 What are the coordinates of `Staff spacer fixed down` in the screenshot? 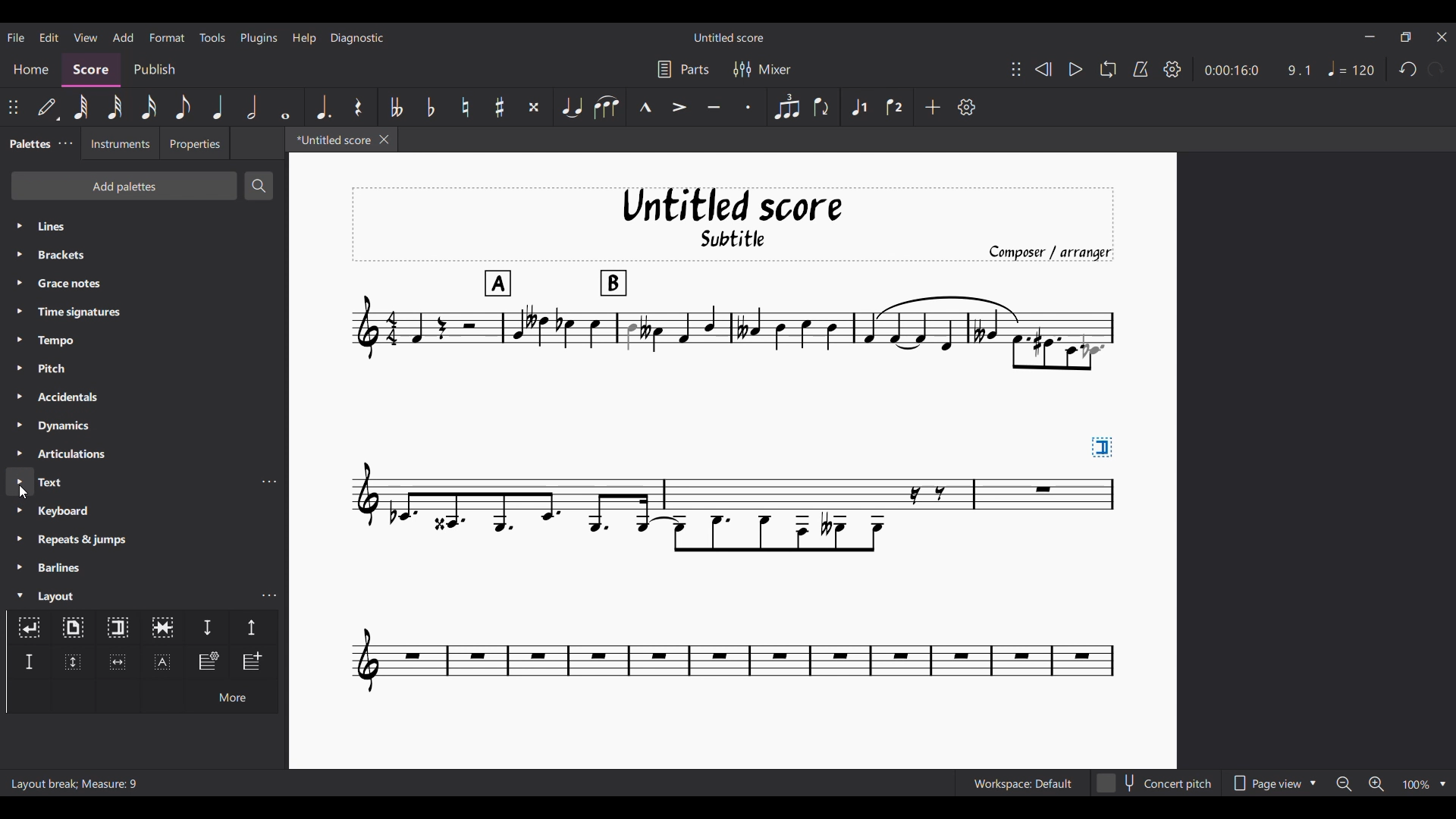 It's located at (29, 662).